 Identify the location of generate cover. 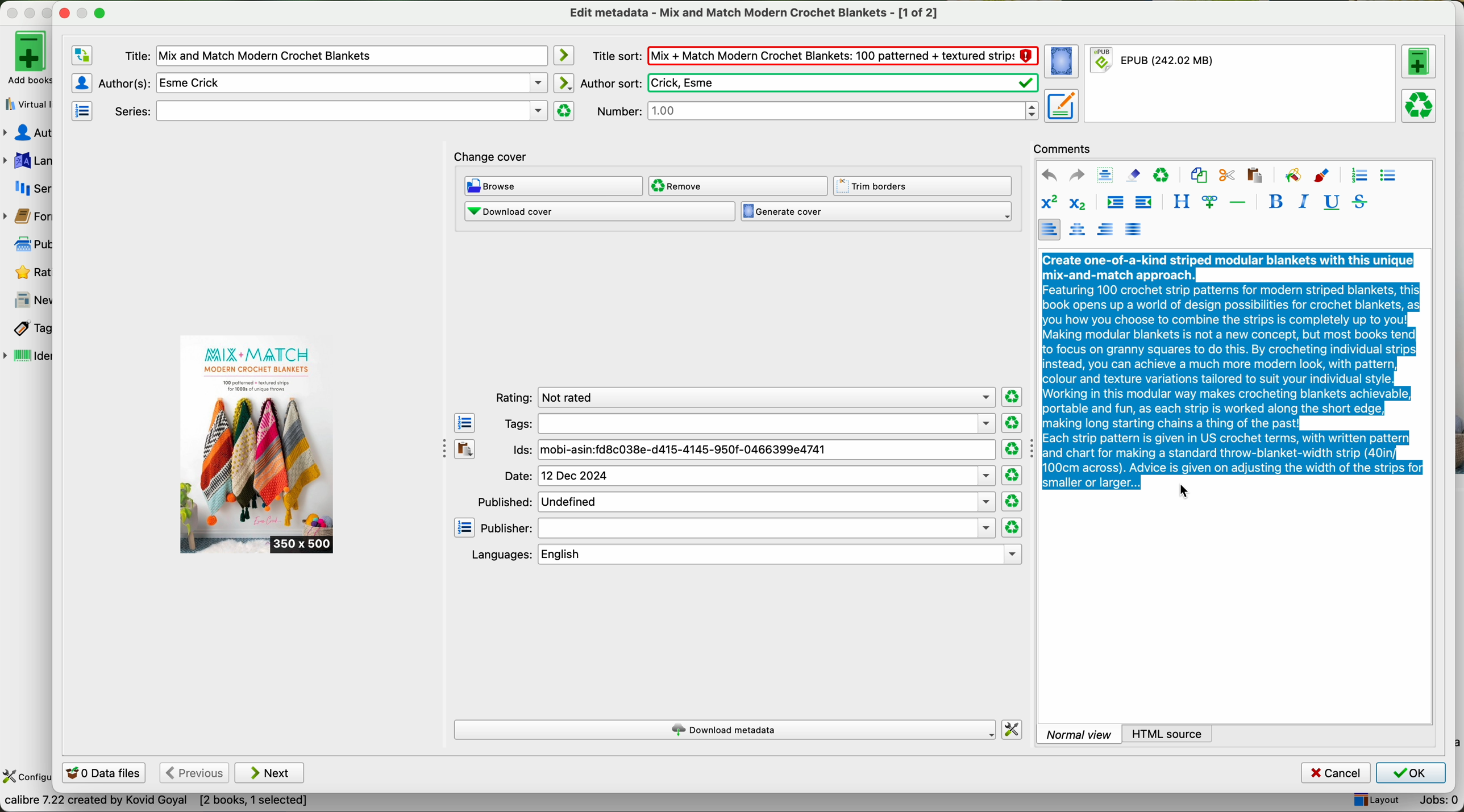
(876, 212).